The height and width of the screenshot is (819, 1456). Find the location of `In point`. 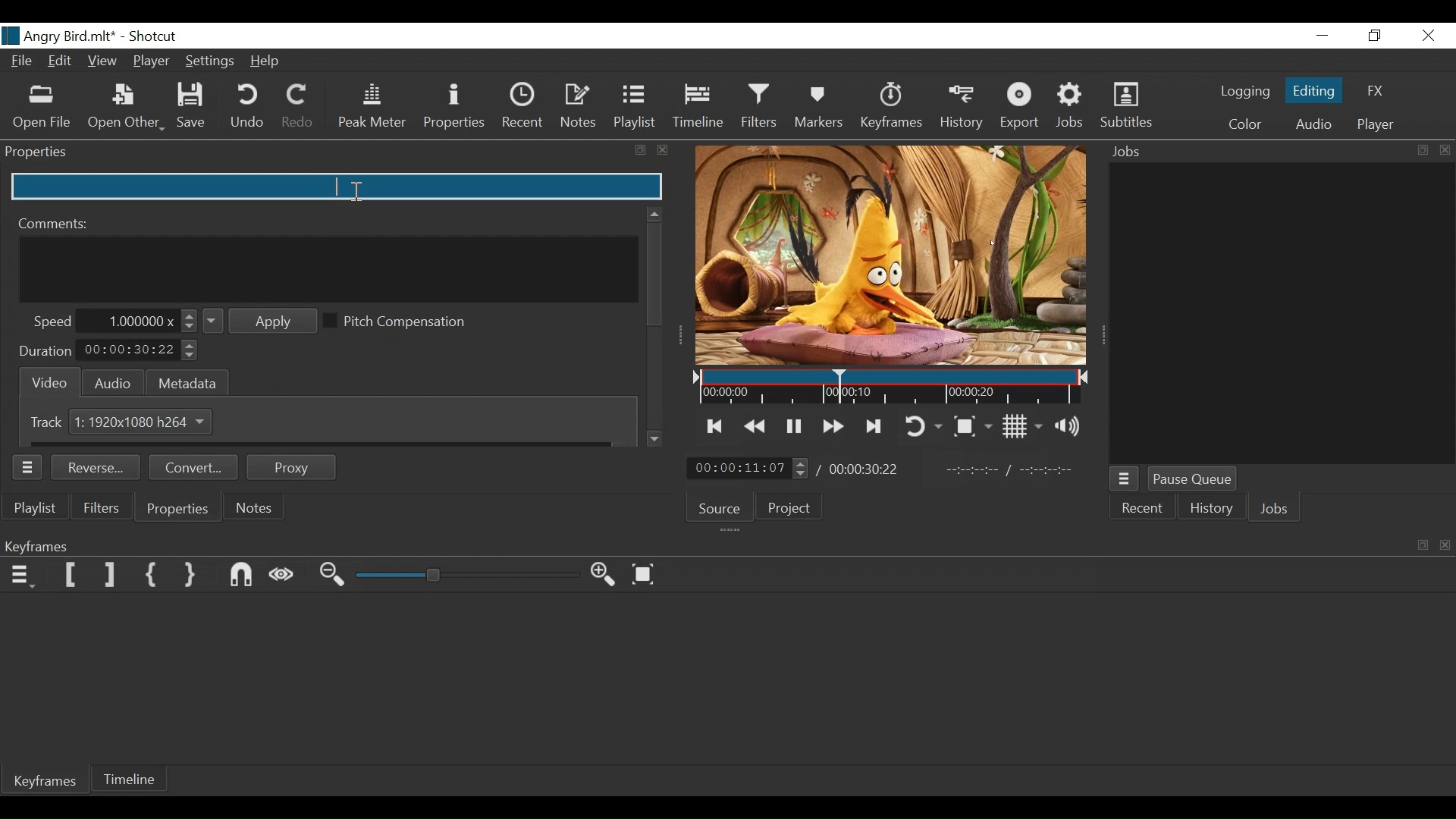

In point is located at coordinates (1009, 470).